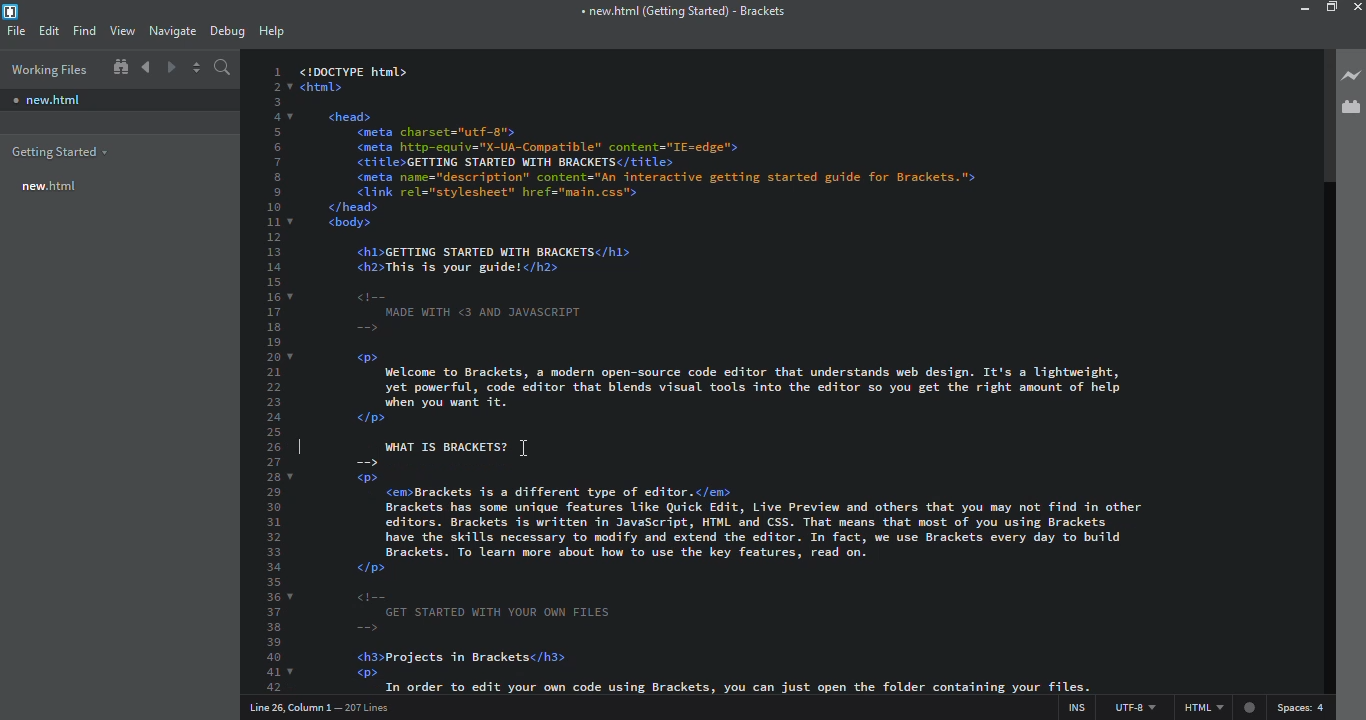 This screenshot has width=1366, height=720. Describe the element at coordinates (146, 67) in the screenshot. I see `navigate back` at that location.